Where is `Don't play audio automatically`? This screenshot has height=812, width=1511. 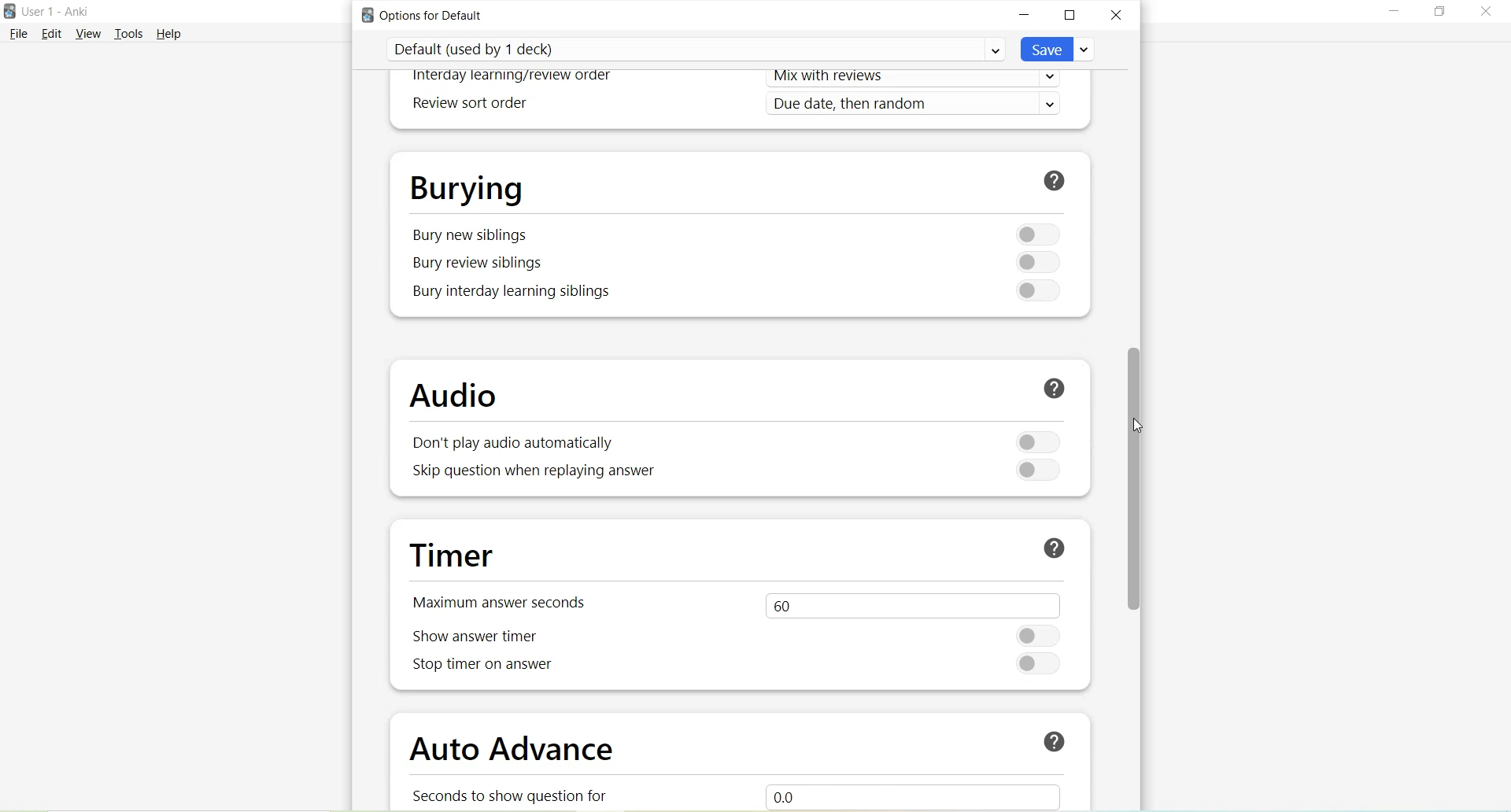
Don't play audio automatically is located at coordinates (508, 445).